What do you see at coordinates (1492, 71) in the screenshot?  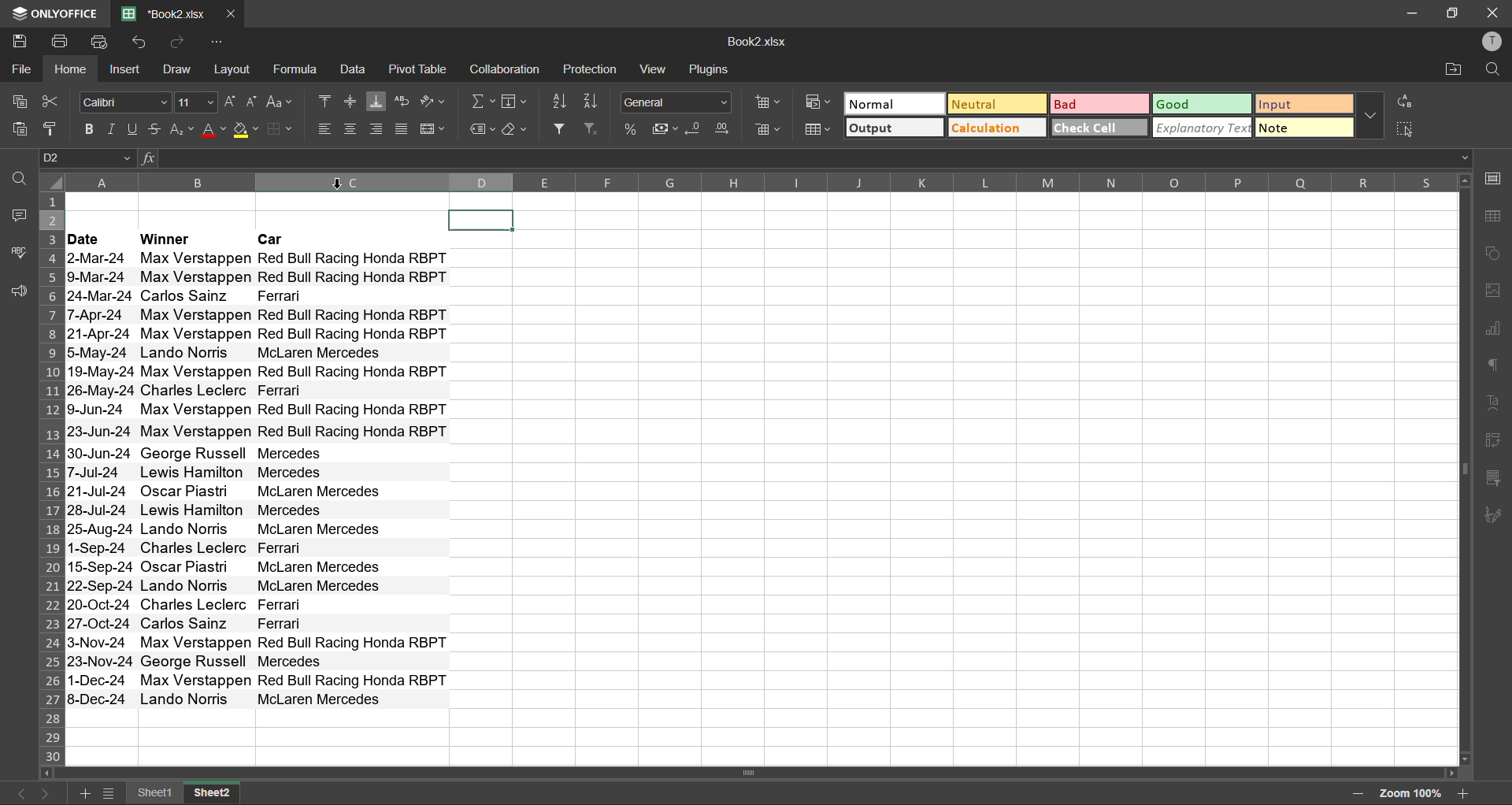 I see `find` at bounding box center [1492, 71].